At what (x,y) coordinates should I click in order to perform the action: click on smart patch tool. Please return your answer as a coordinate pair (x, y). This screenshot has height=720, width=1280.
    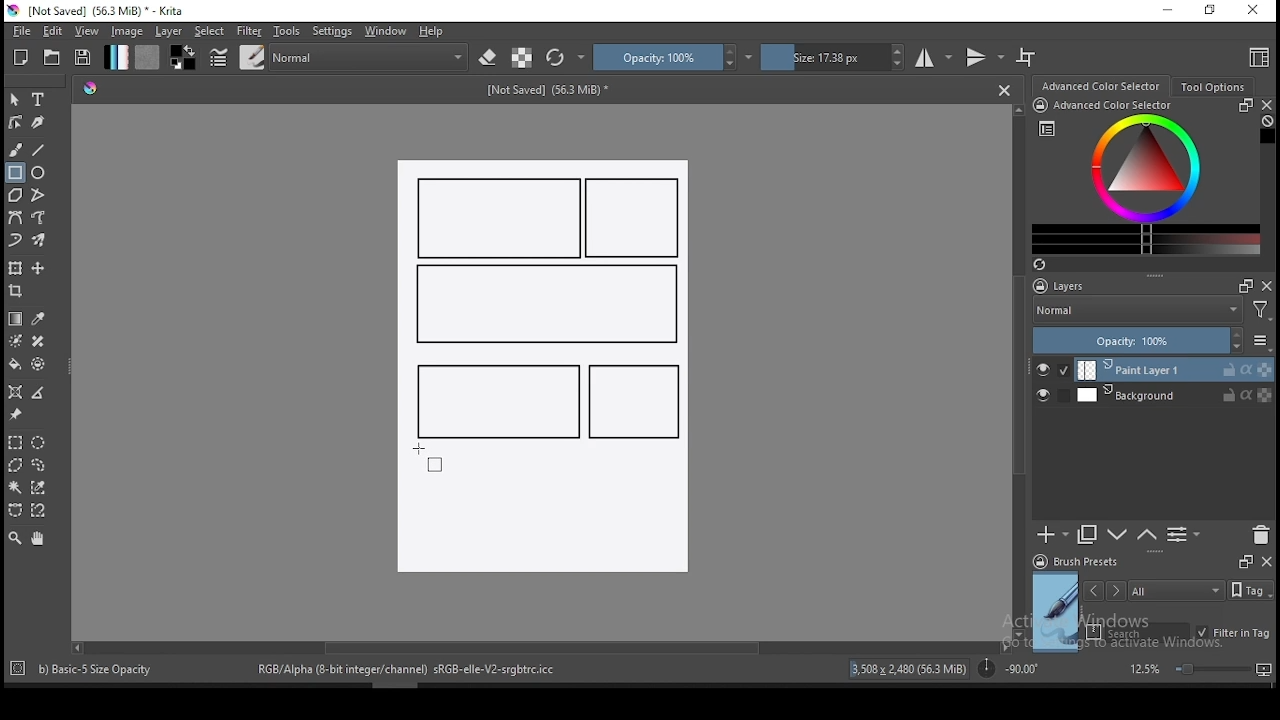
    Looking at the image, I should click on (38, 341).